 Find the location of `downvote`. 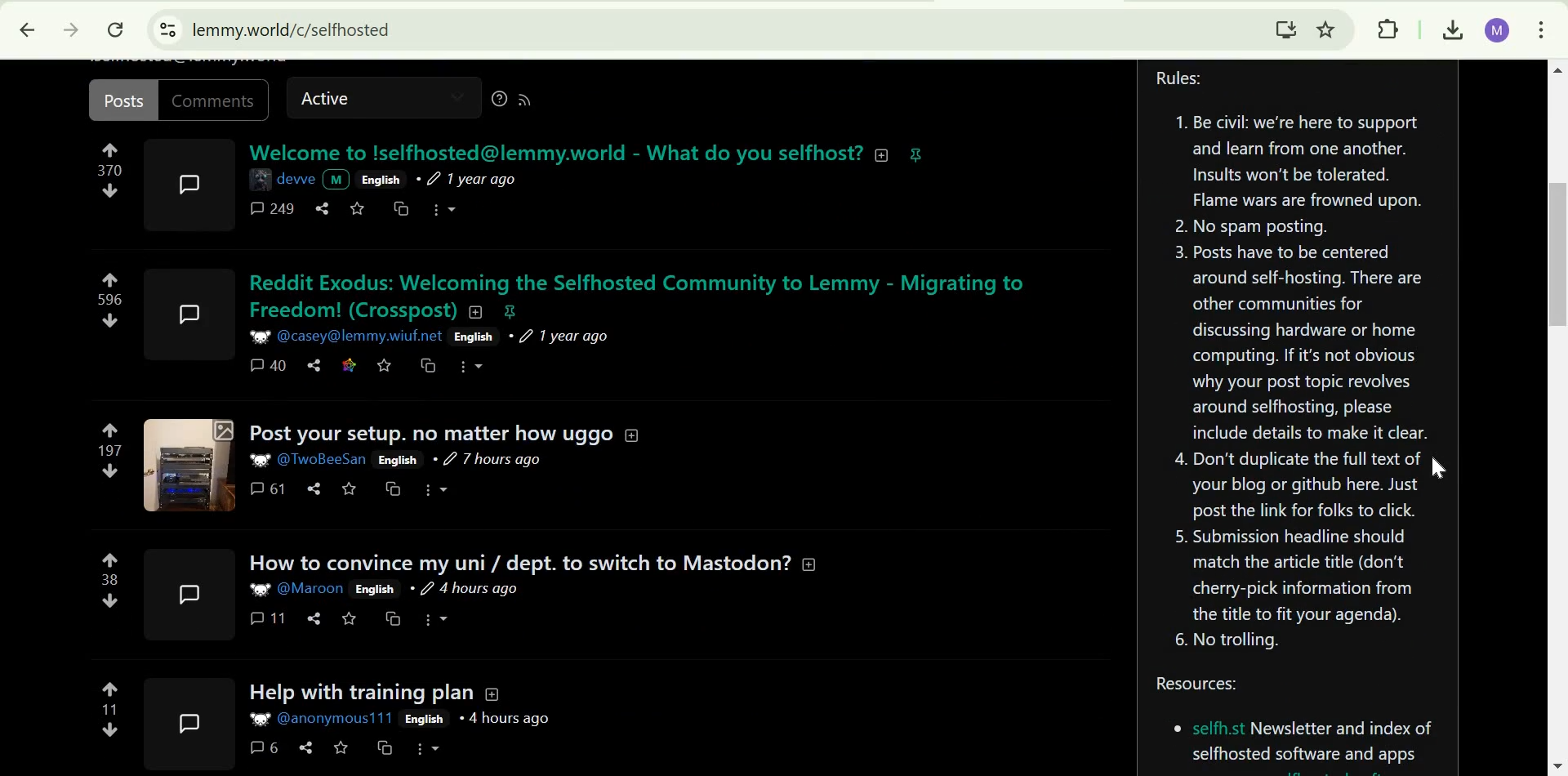

downvote is located at coordinates (111, 600).